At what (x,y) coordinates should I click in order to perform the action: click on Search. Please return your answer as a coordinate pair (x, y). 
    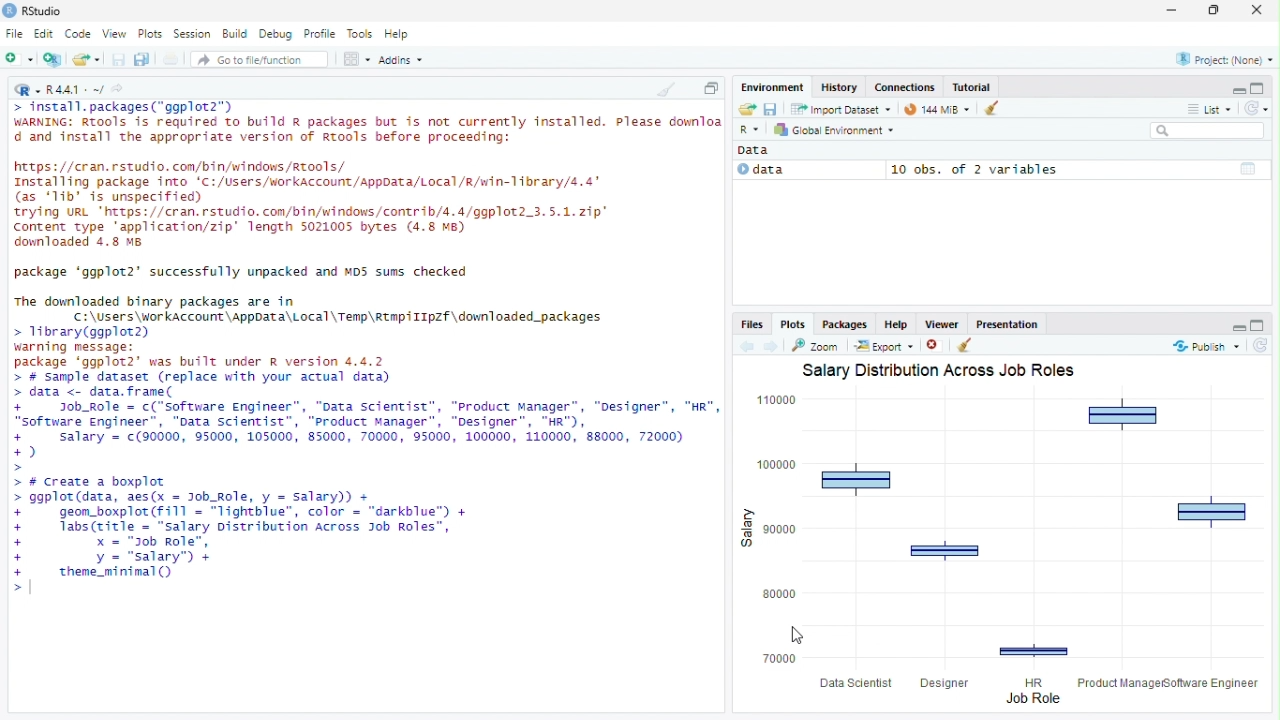
    Looking at the image, I should click on (1208, 130).